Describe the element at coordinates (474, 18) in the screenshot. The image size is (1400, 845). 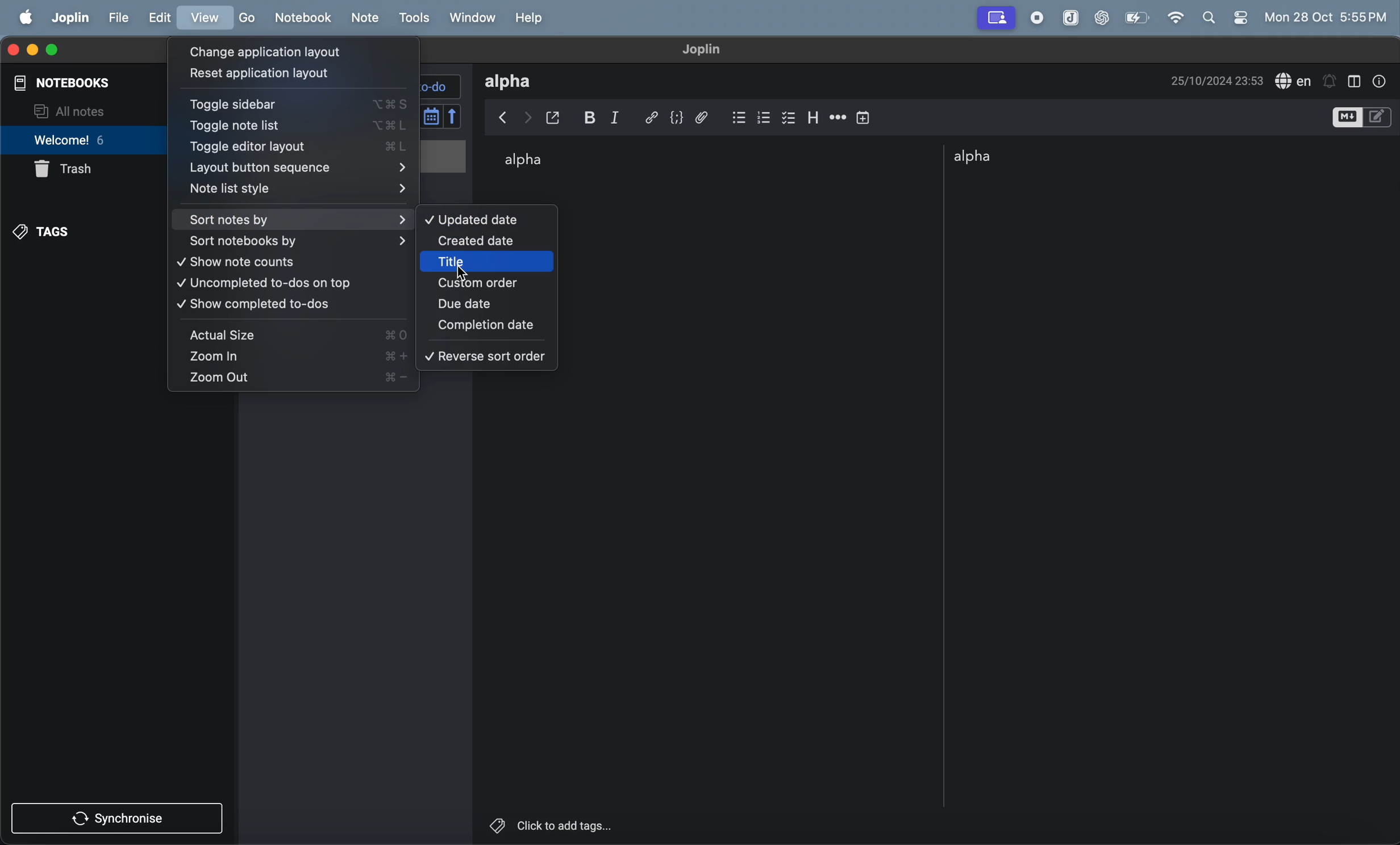
I see `window` at that location.